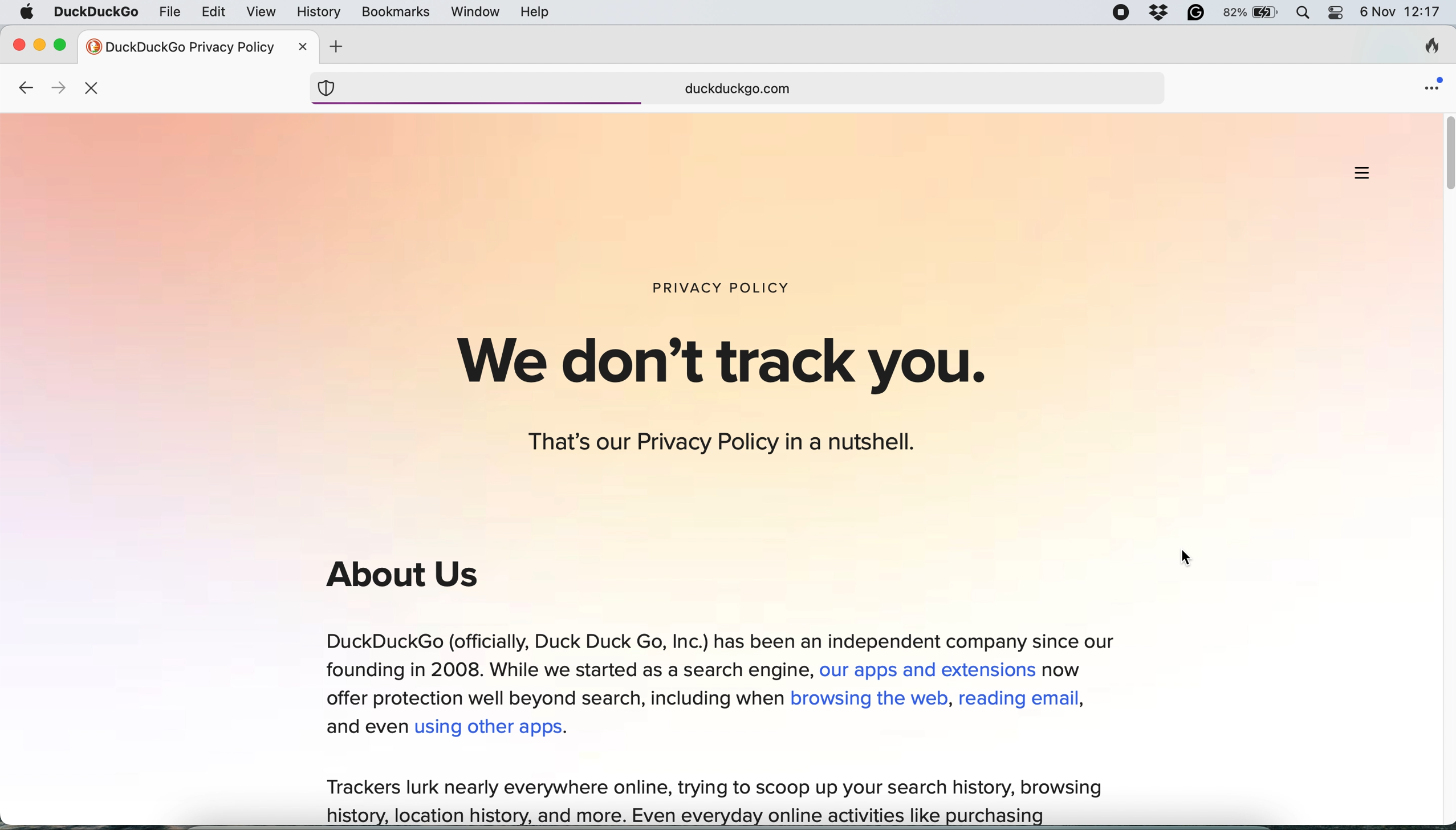 This screenshot has height=830, width=1456. What do you see at coordinates (1364, 177) in the screenshot?
I see `more options` at bounding box center [1364, 177].